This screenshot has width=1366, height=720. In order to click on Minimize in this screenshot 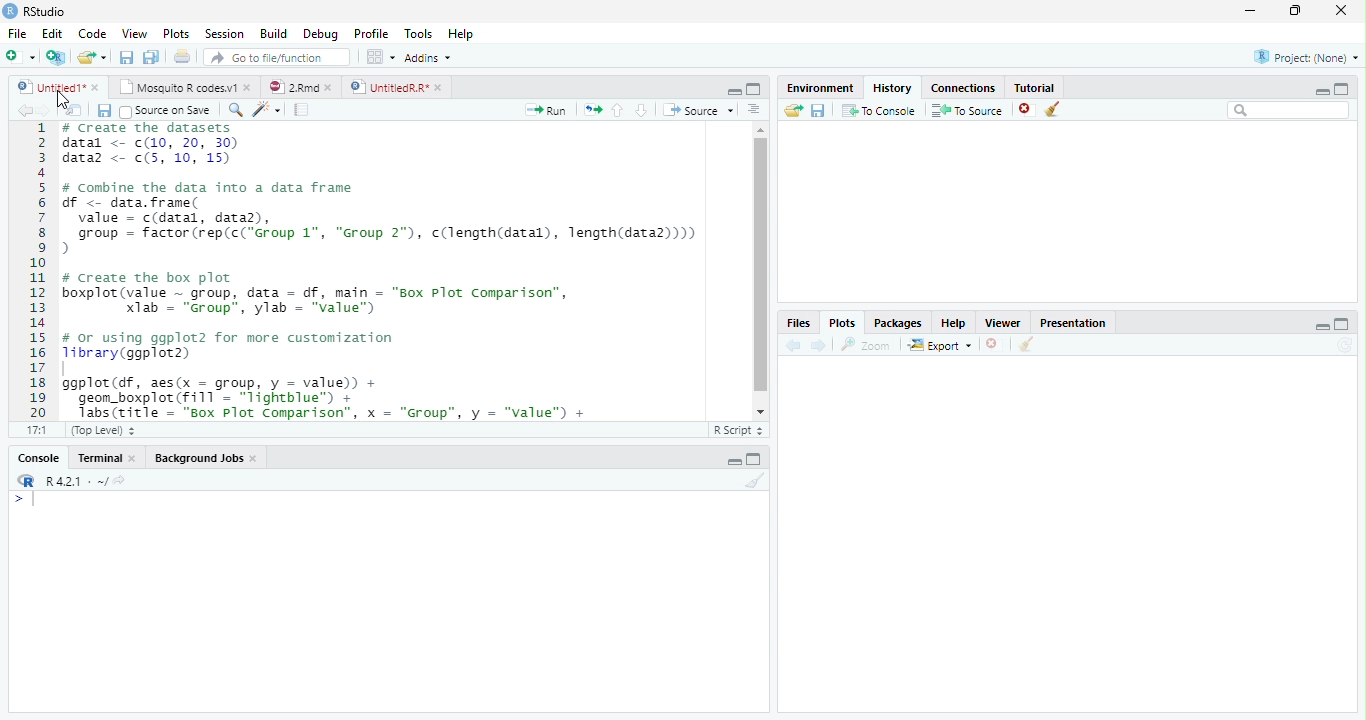, I will do `click(733, 462)`.